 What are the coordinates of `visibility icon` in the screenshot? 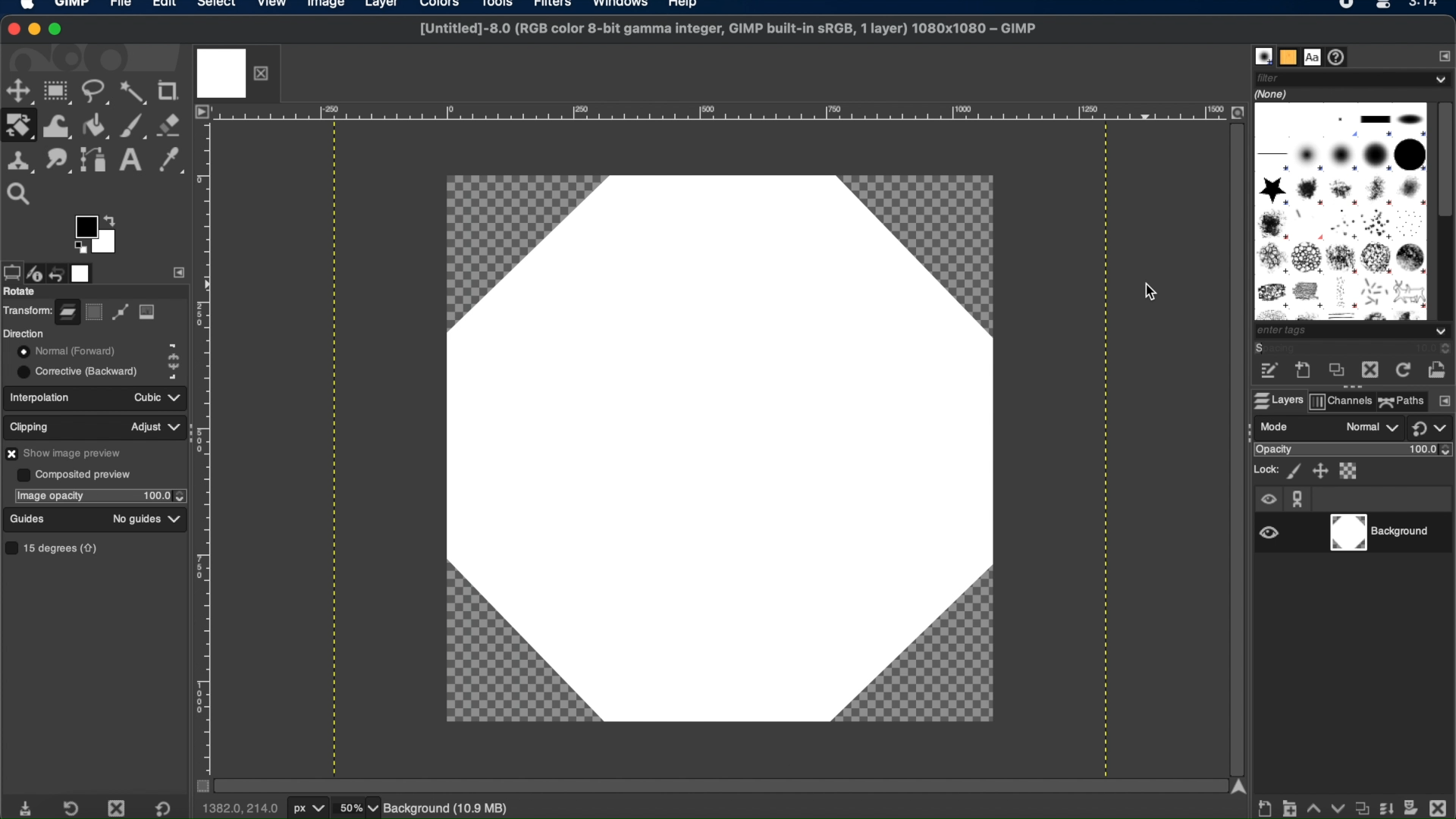 It's located at (1268, 500).